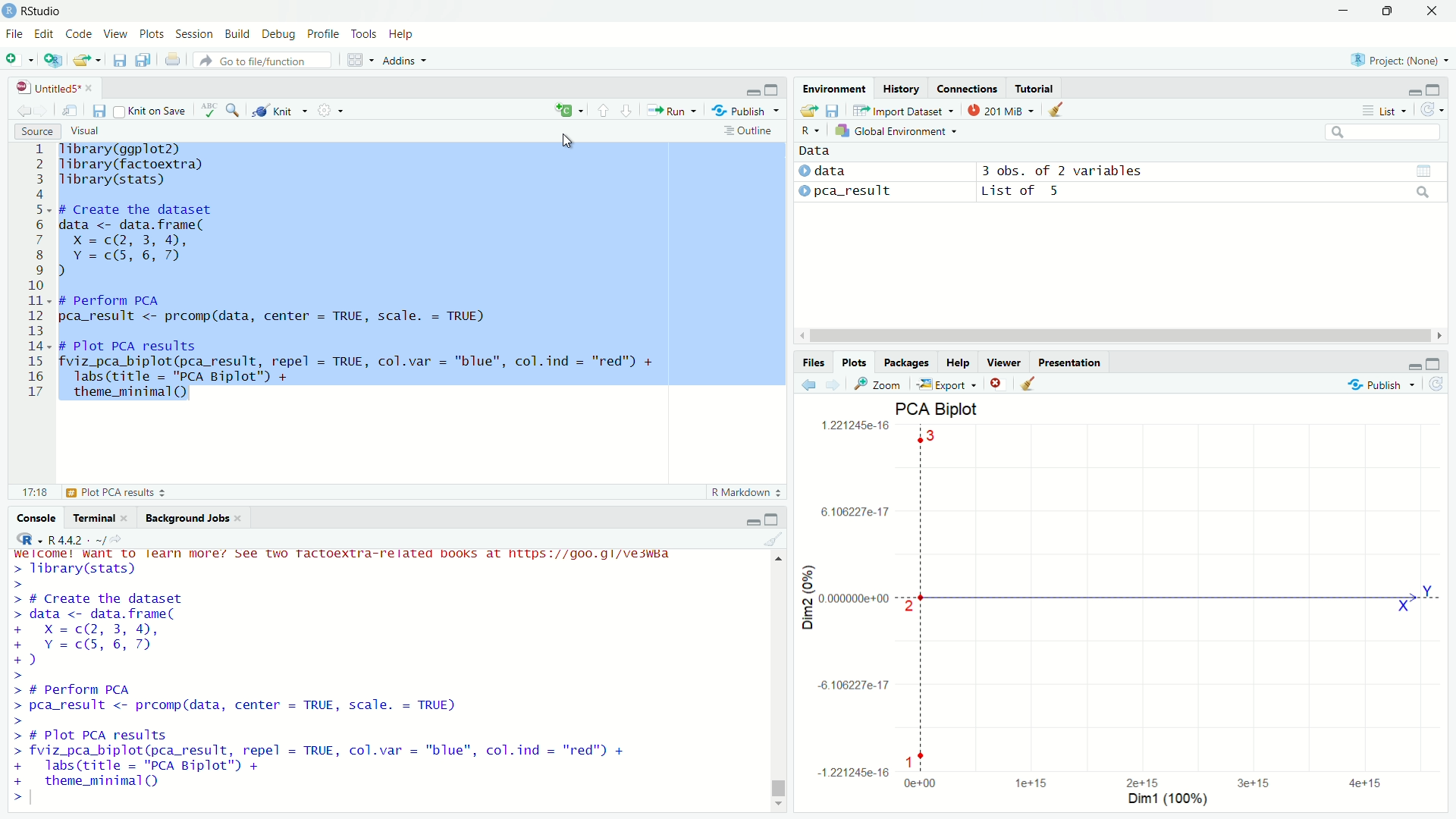 The width and height of the screenshot is (1456, 819). Describe the element at coordinates (325, 35) in the screenshot. I see `profile` at that location.